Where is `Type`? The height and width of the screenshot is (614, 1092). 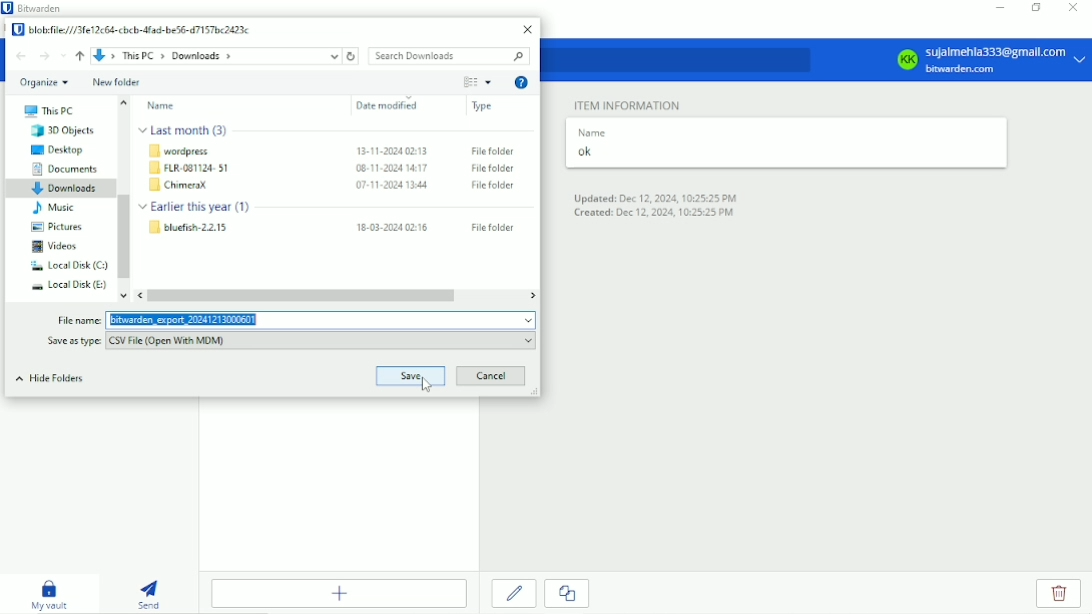
Type is located at coordinates (483, 107).